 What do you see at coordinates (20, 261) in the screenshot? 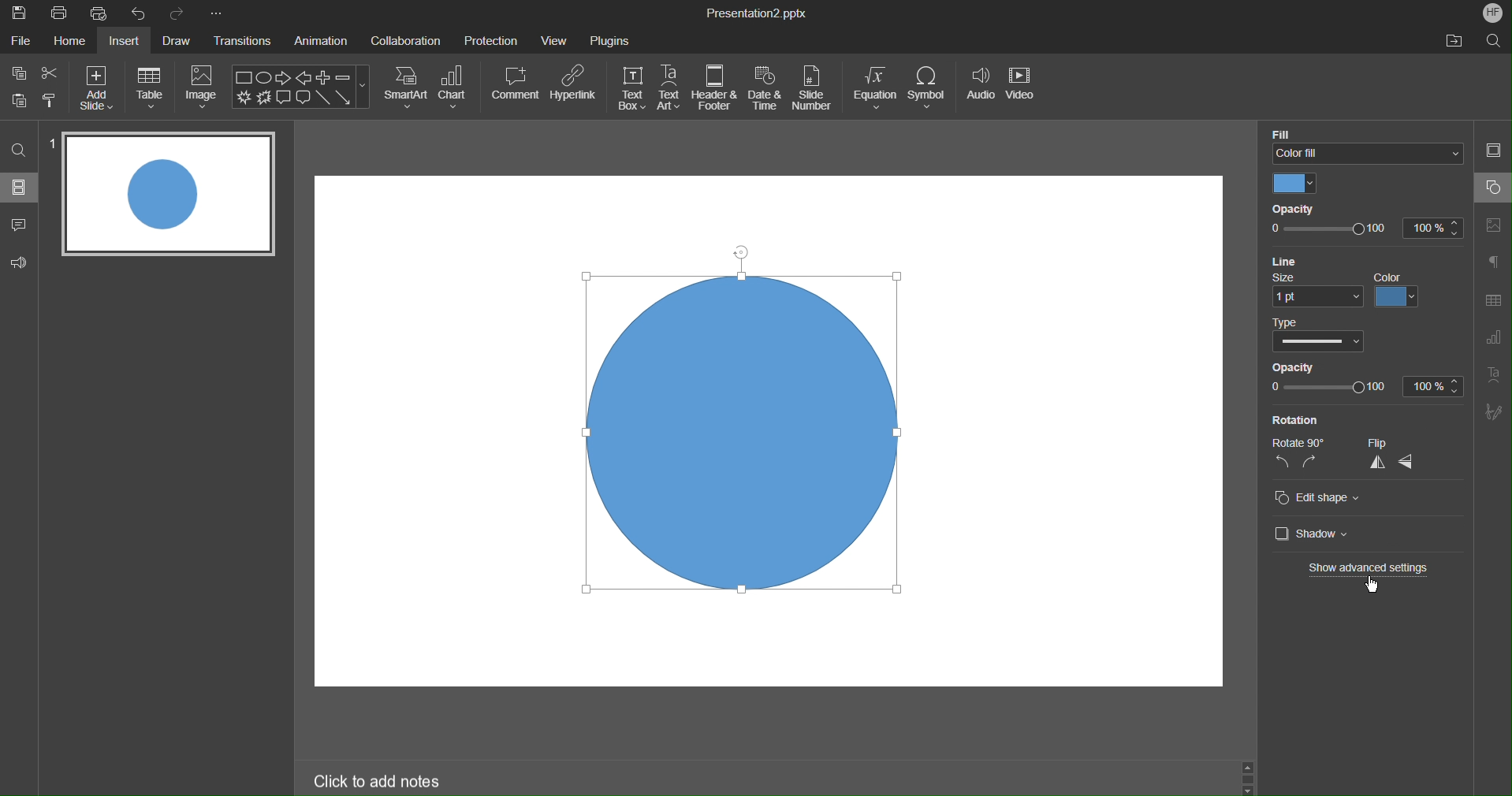
I see `Feedback & Support` at bounding box center [20, 261].